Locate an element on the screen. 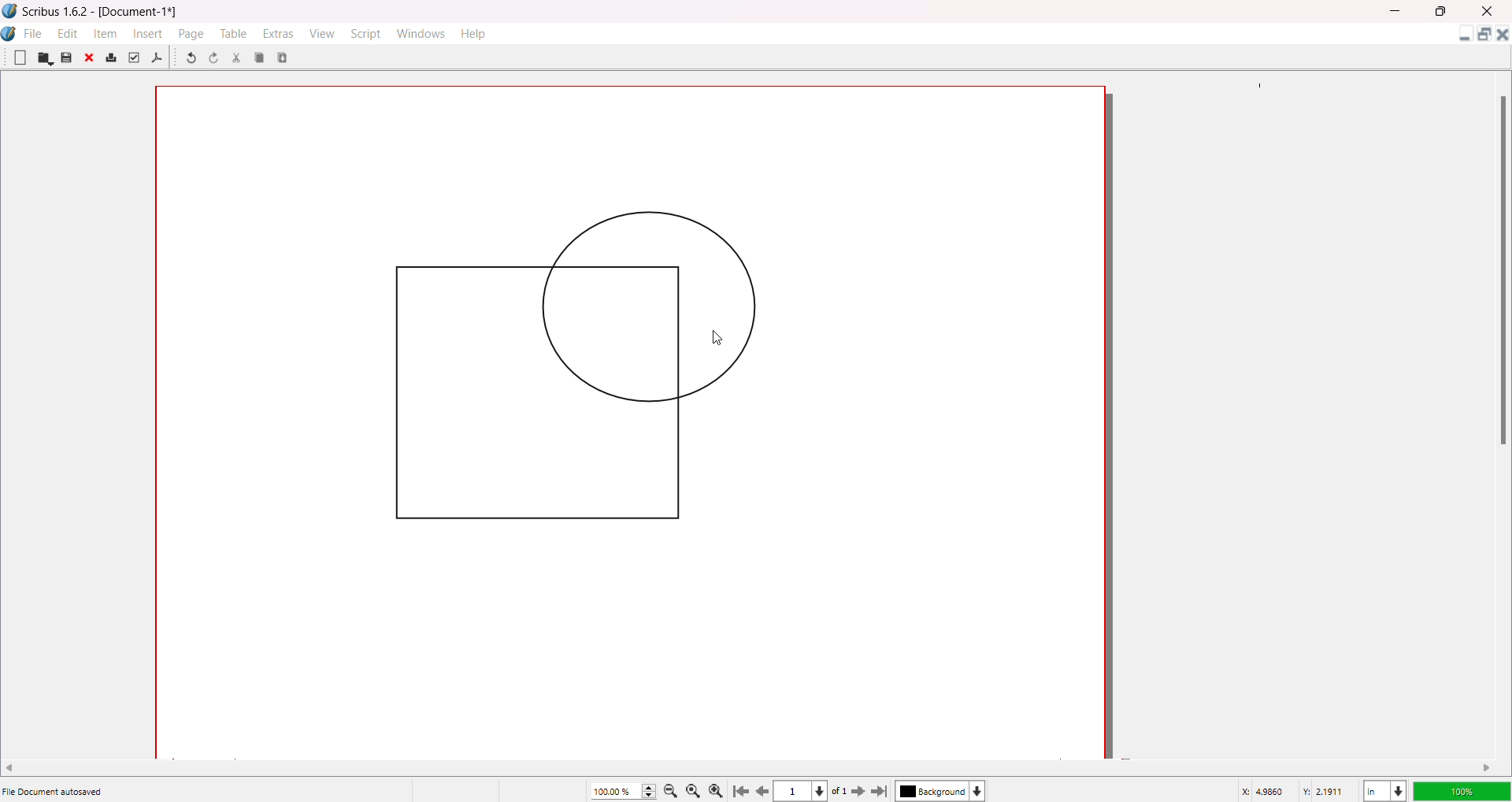 The height and width of the screenshot is (802, 1512). First Page is located at coordinates (743, 789).